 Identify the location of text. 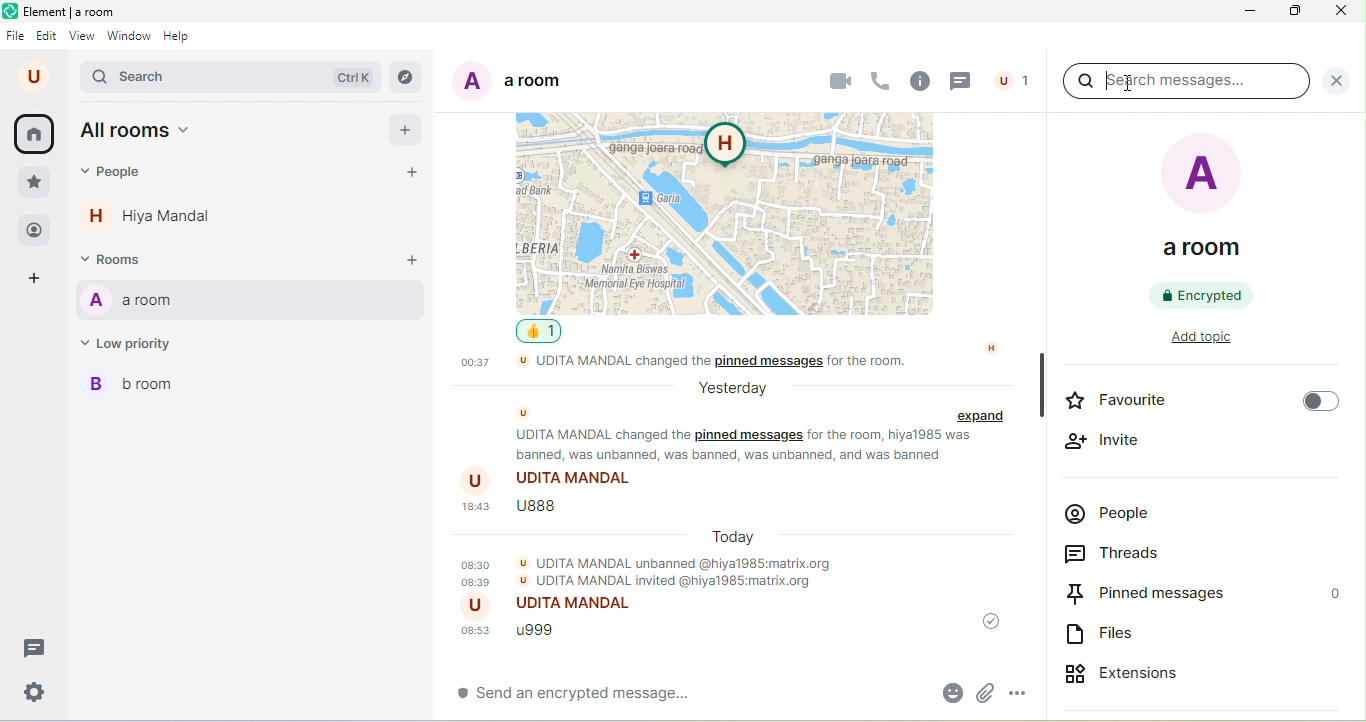
(748, 446).